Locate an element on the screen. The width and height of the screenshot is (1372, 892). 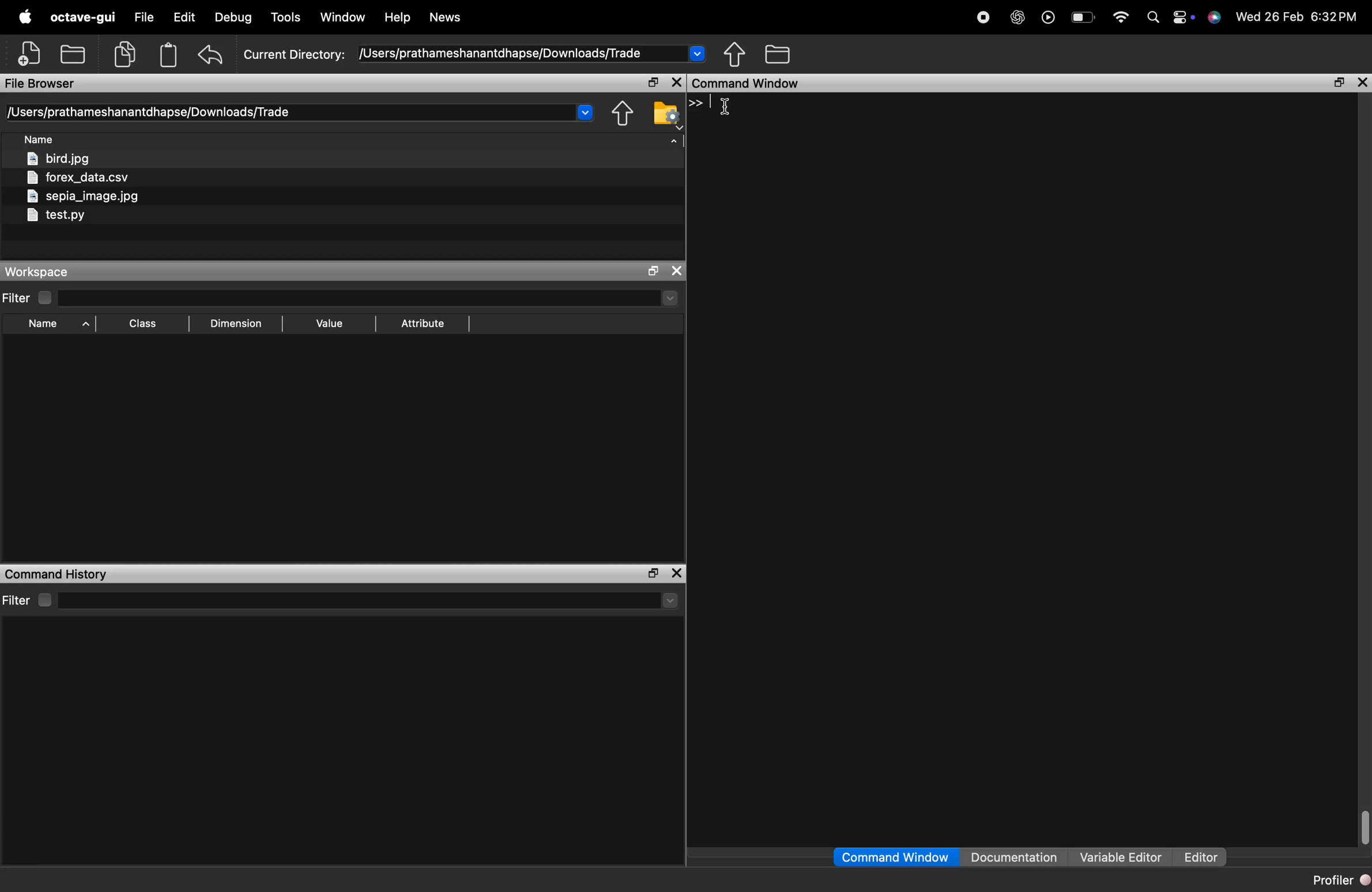
new script is located at coordinates (31, 52).